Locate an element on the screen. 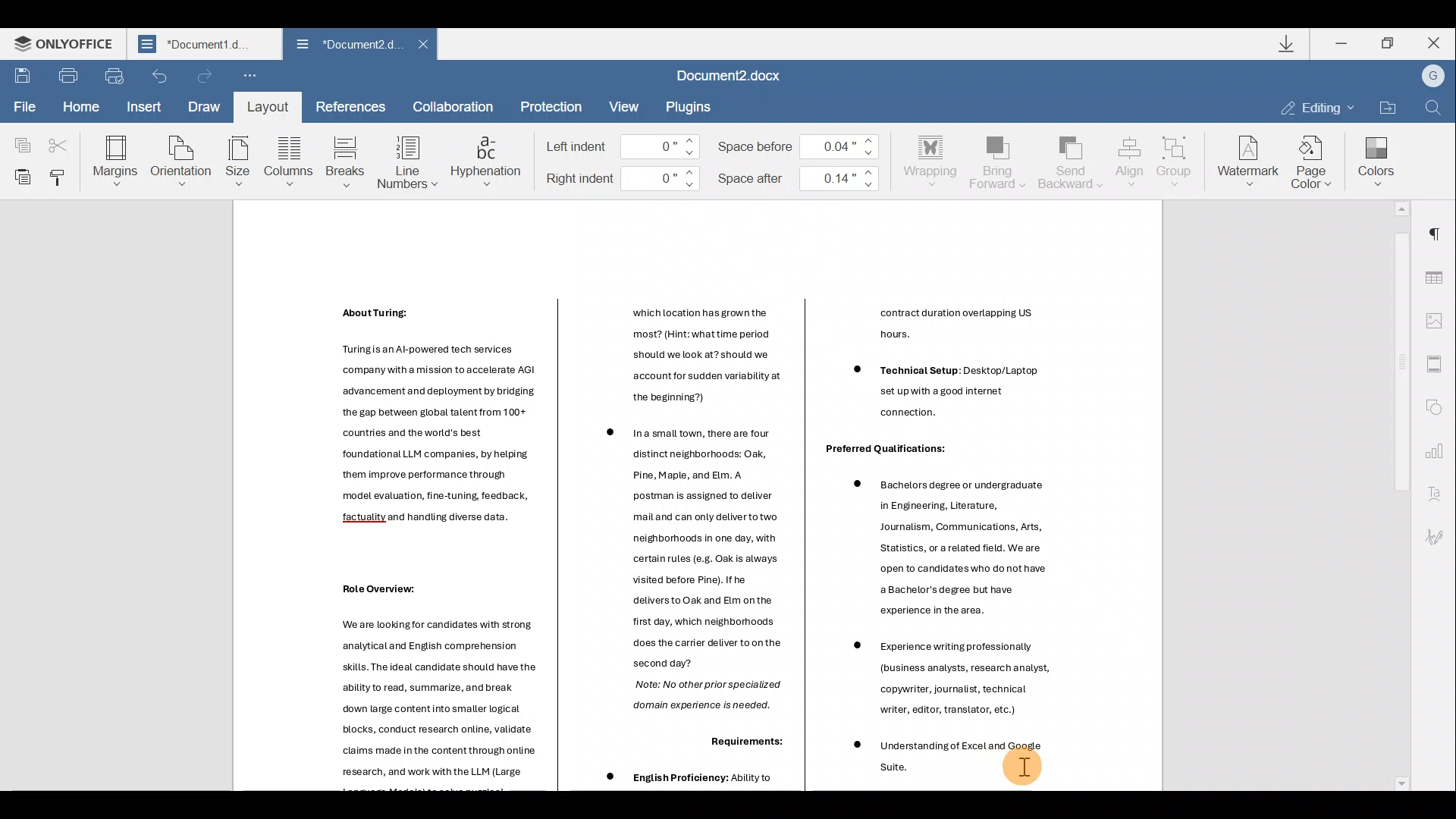   is located at coordinates (689, 573).